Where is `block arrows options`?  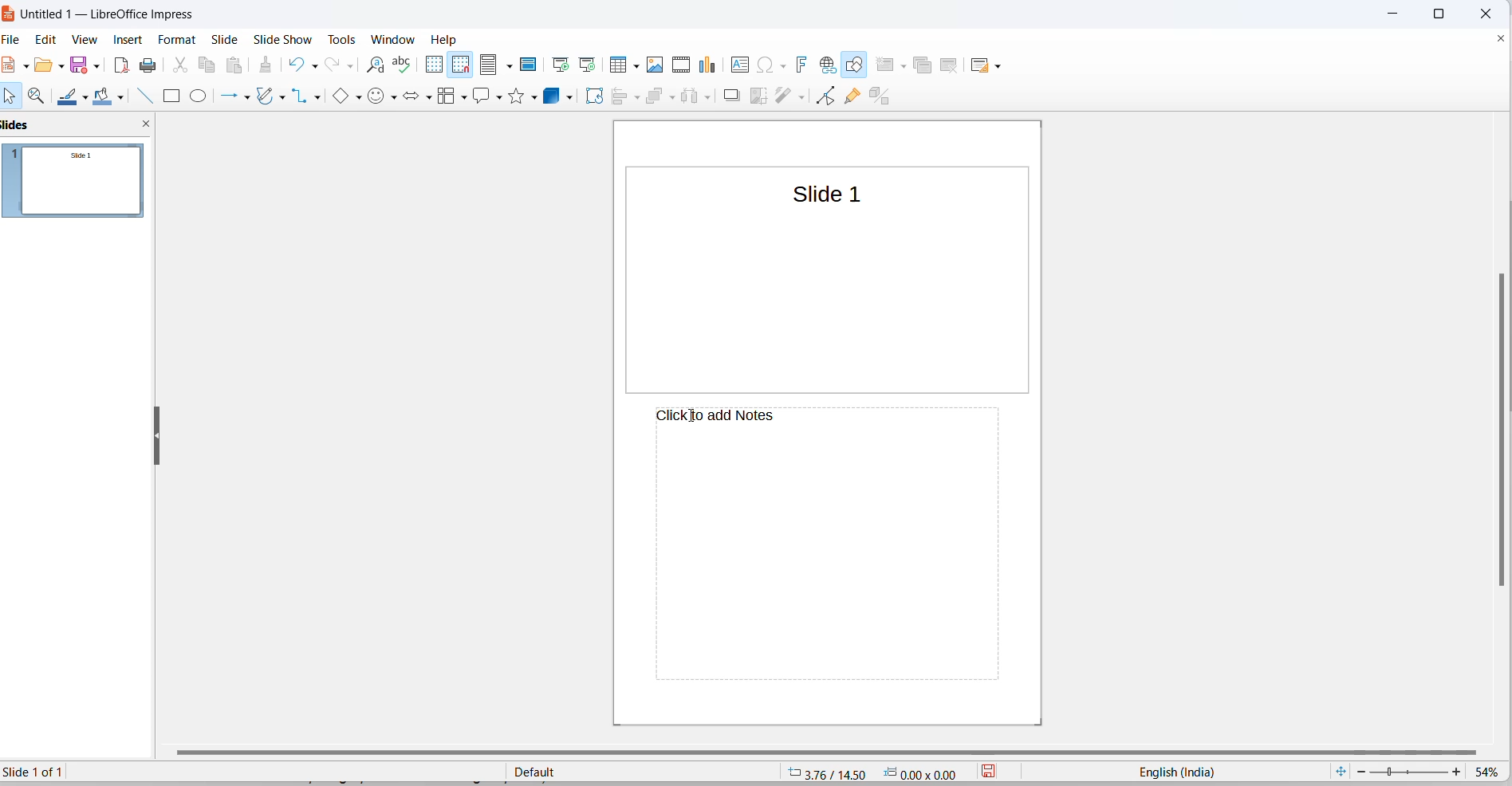
block arrows options is located at coordinates (428, 96).